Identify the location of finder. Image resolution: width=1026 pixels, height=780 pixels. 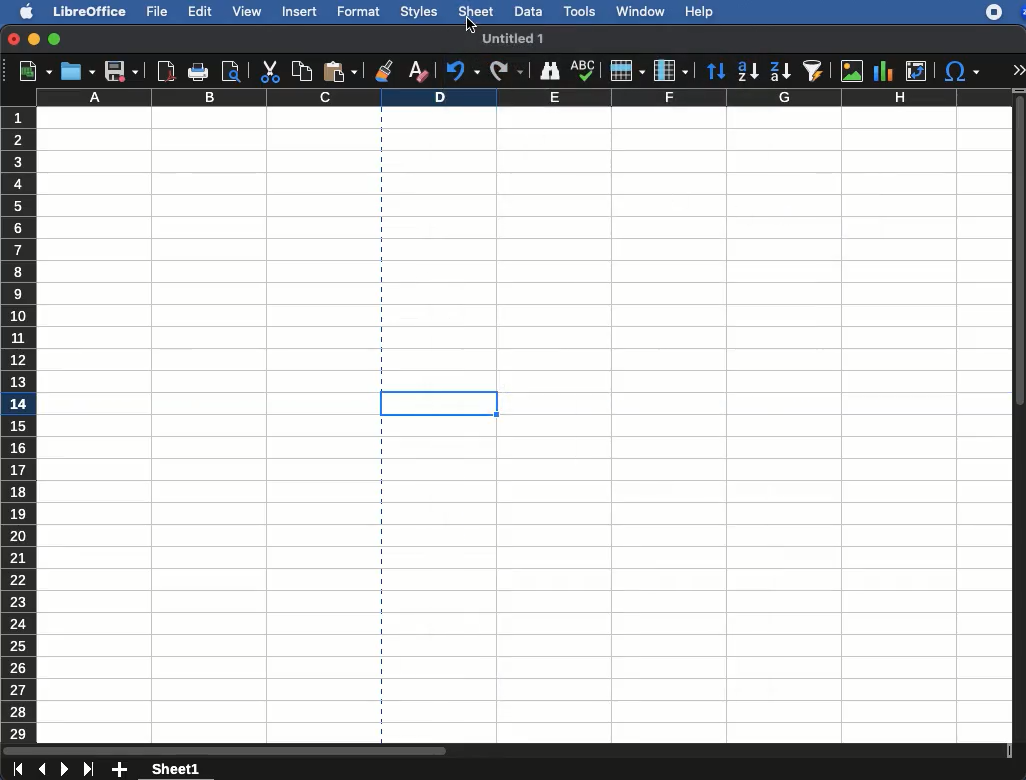
(551, 71).